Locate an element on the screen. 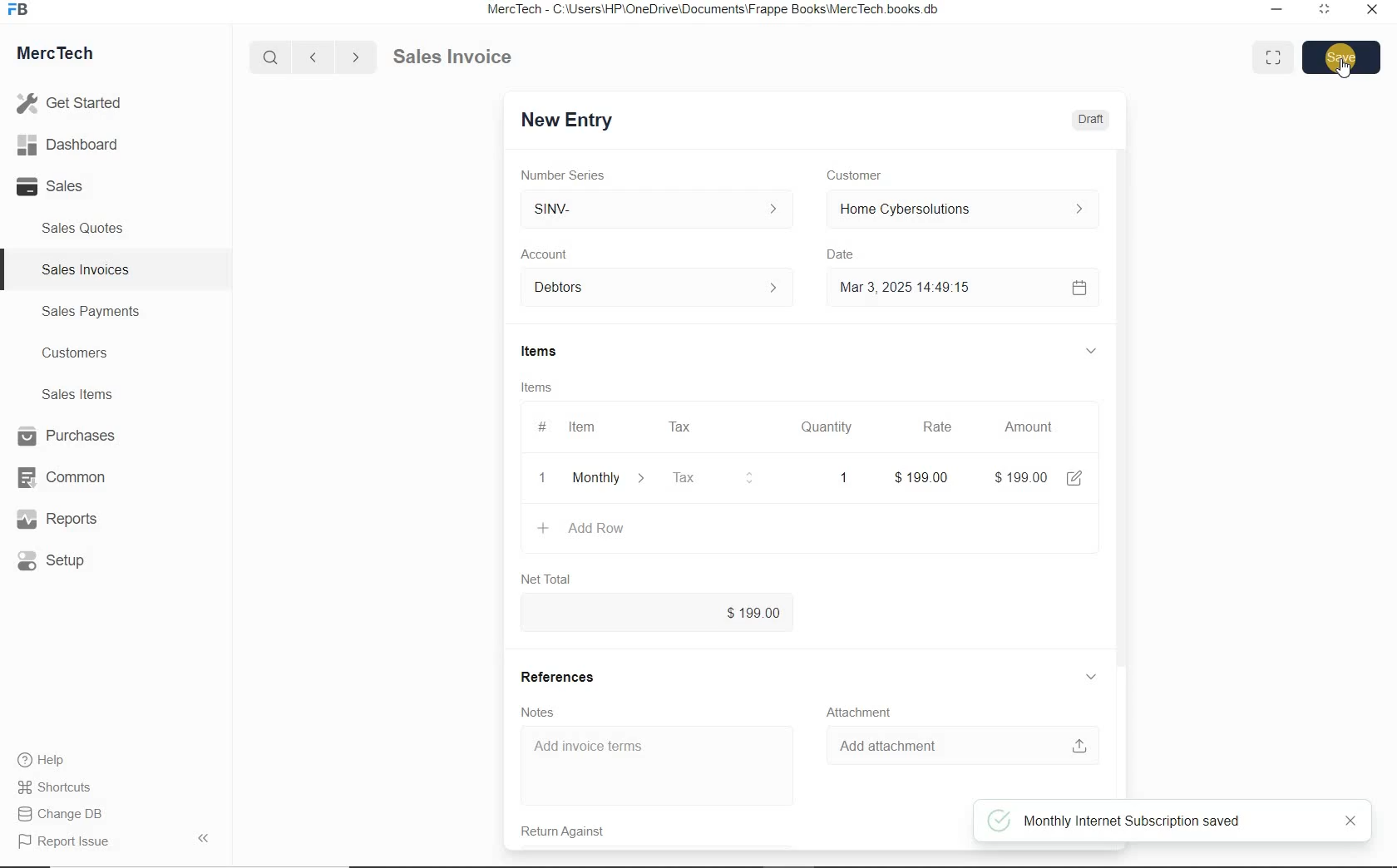 The width and height of the screenshot is (1397, 868). Net Total is located at coordinates (546, 579).